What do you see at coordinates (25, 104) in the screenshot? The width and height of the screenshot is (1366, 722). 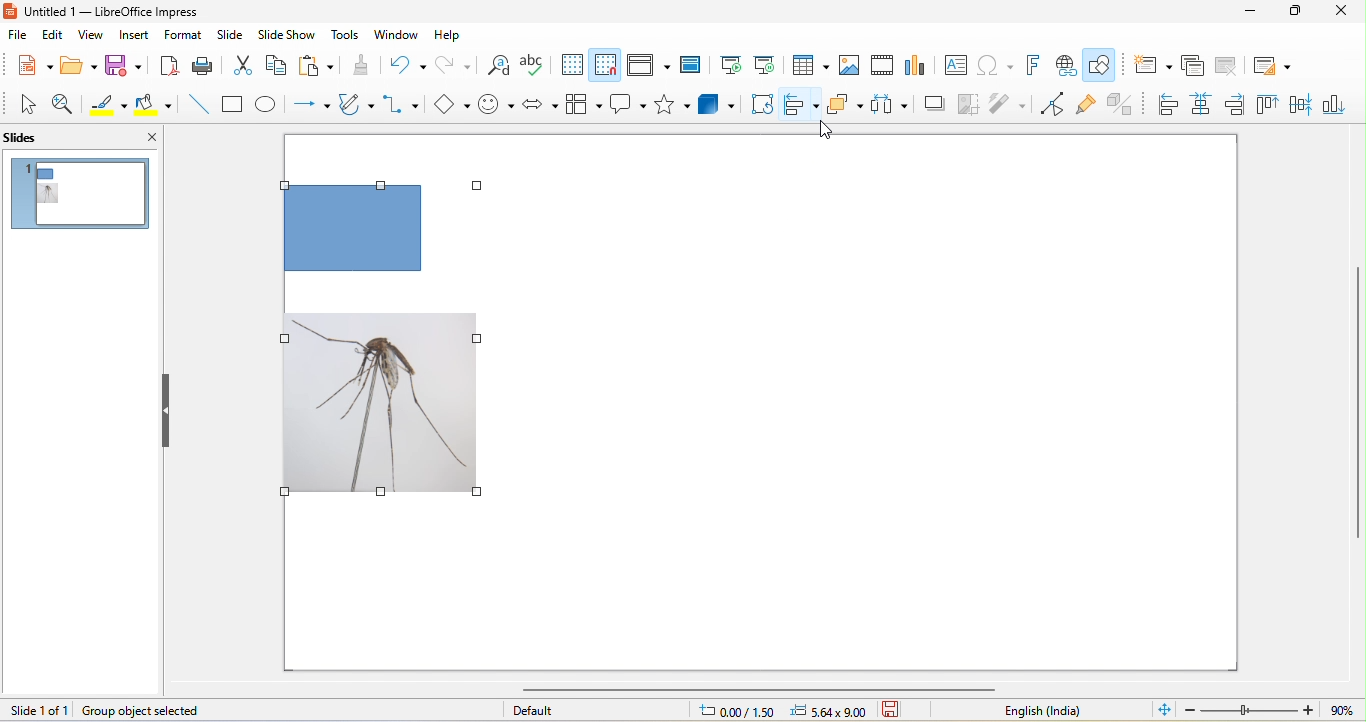 I see `select` at bounding box center [25, 104].